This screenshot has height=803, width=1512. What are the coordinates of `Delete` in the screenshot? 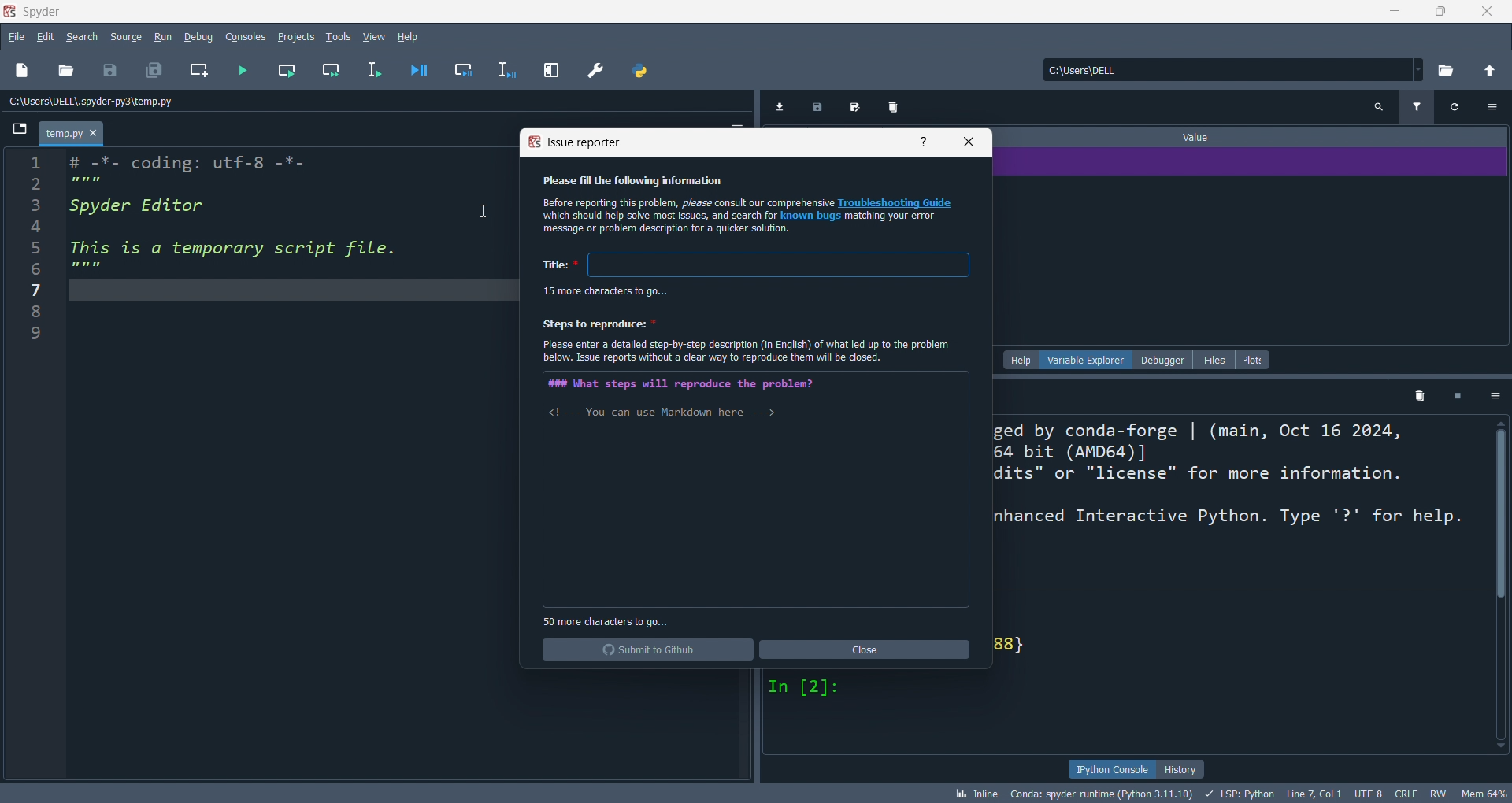 It's located at (894, 108).